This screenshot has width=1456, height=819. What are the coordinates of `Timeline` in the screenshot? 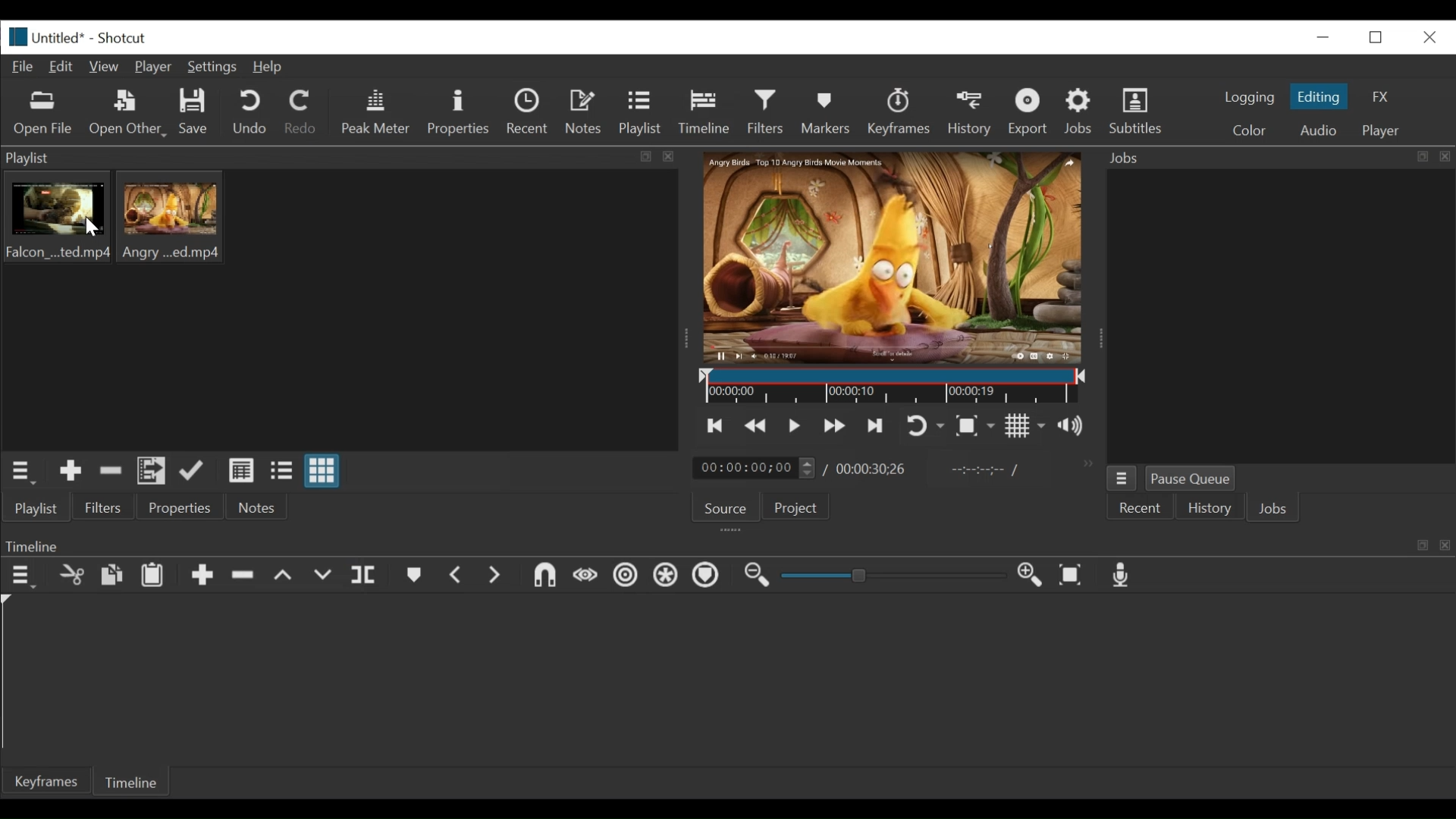 It's located at (134, 780).